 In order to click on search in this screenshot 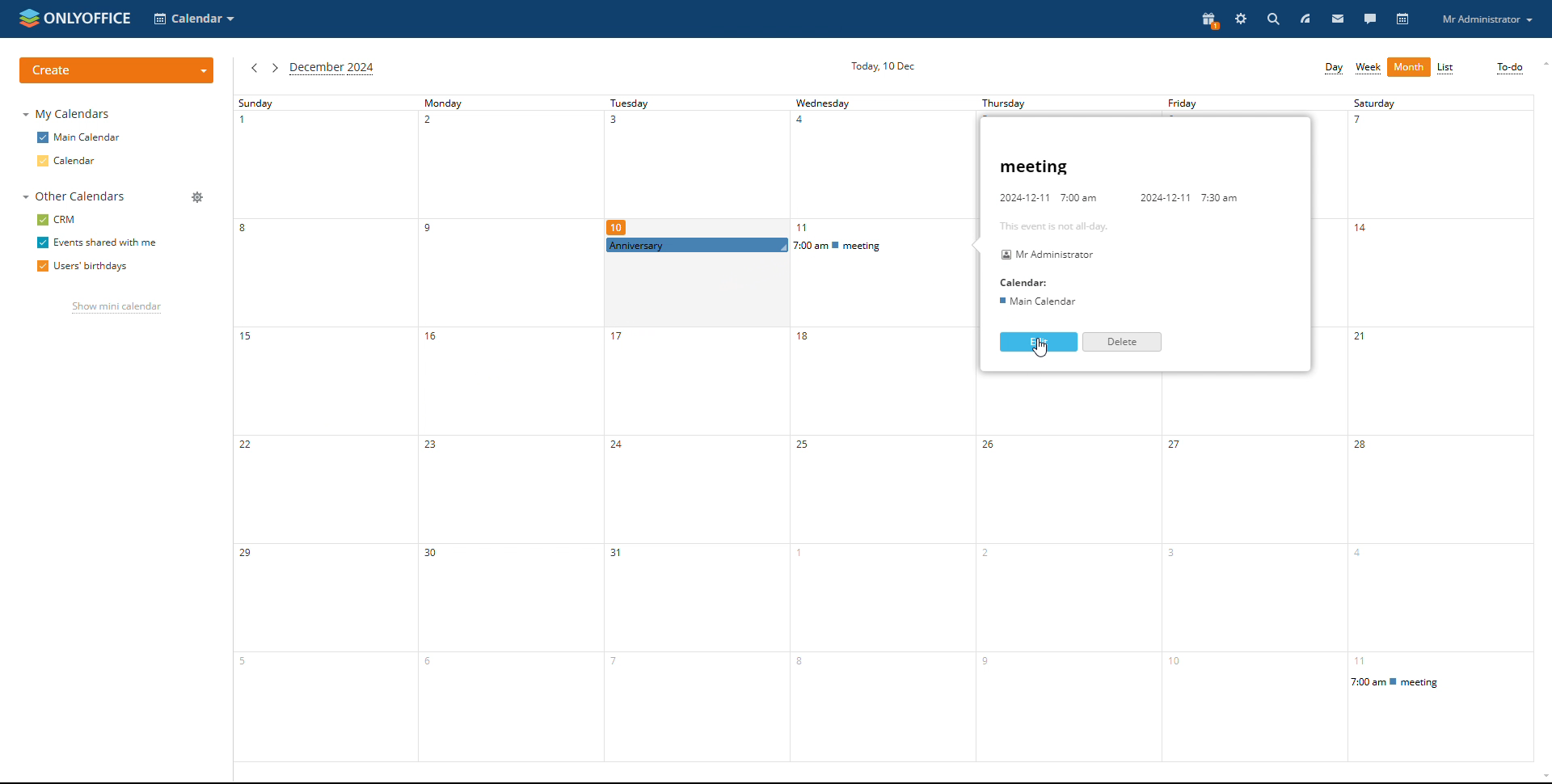, I will do `click(1272, 19)`.